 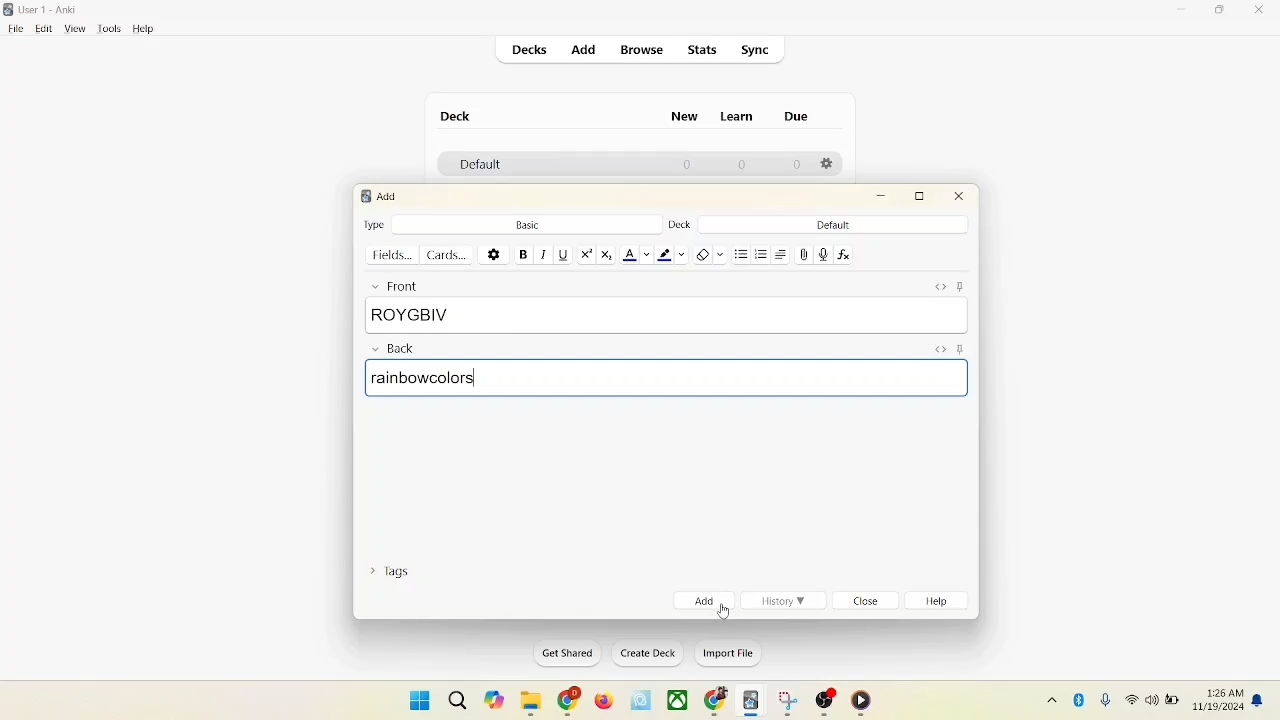 I want to click on cards, so click(x=451, y=255).